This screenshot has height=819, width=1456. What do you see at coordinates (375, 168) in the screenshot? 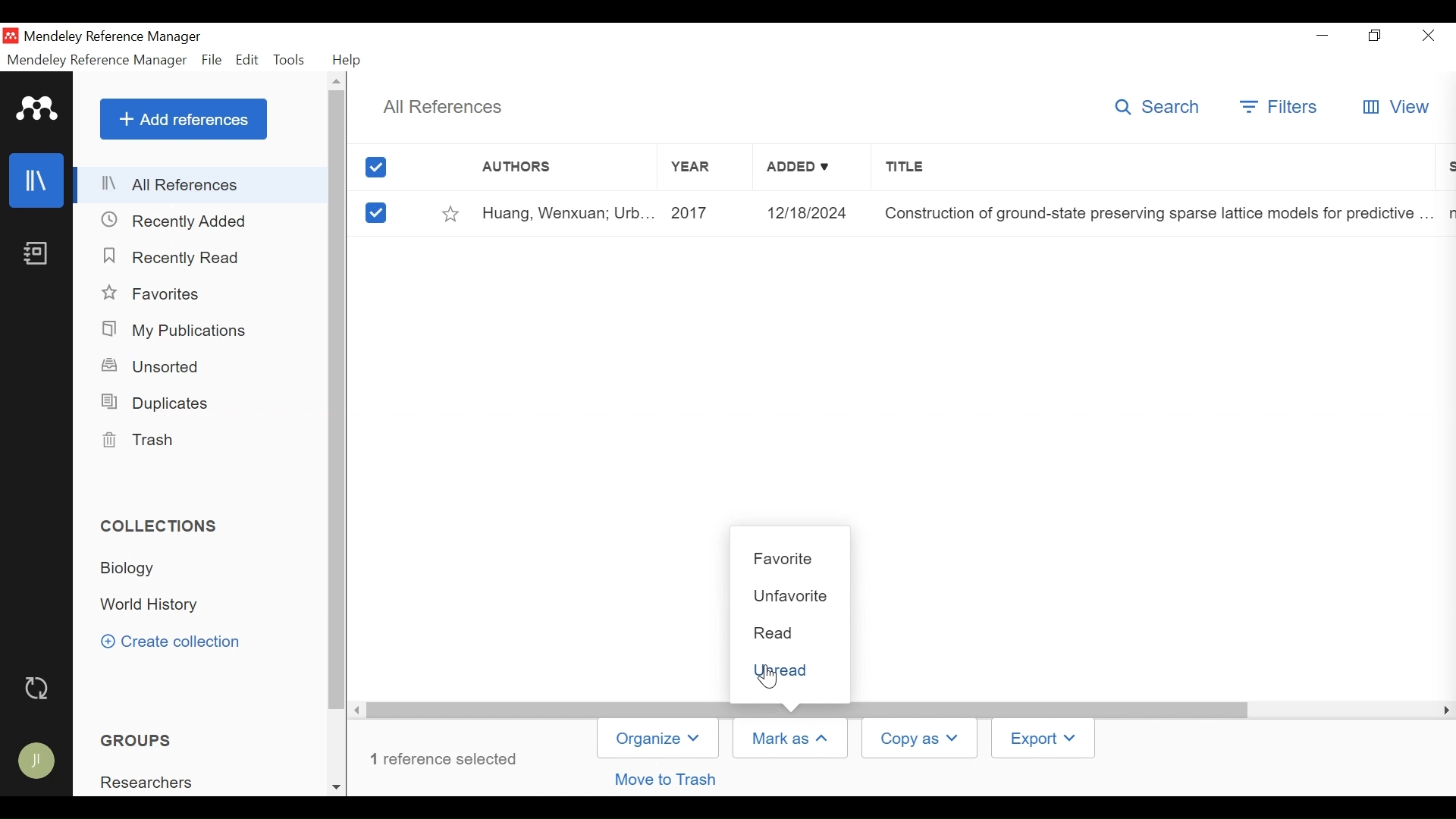
I see `(un)select all` at bounding box center [375, 168].